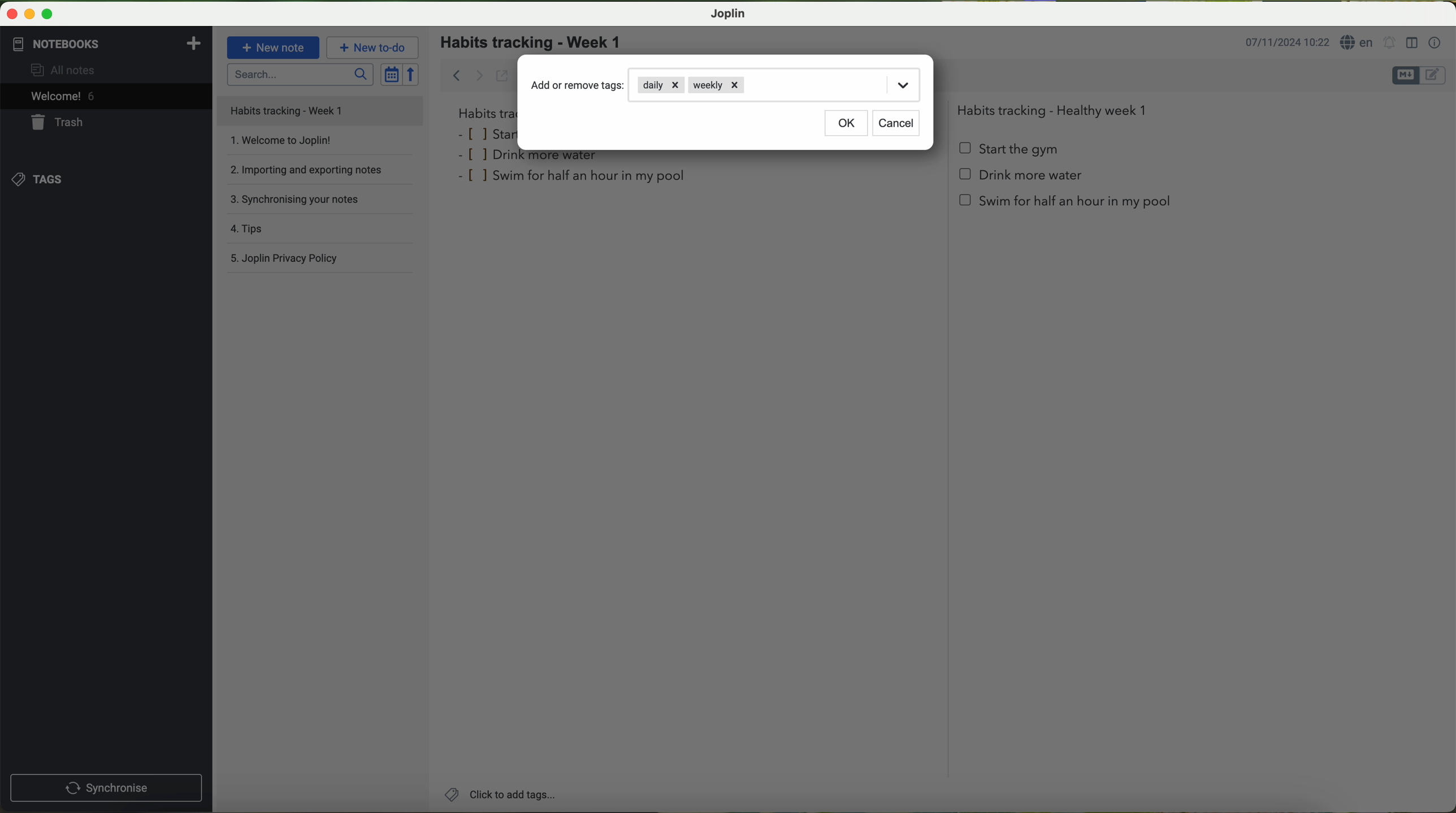 This screenshot has width=1456, height=813. I want to click on back, so click(453, 74).